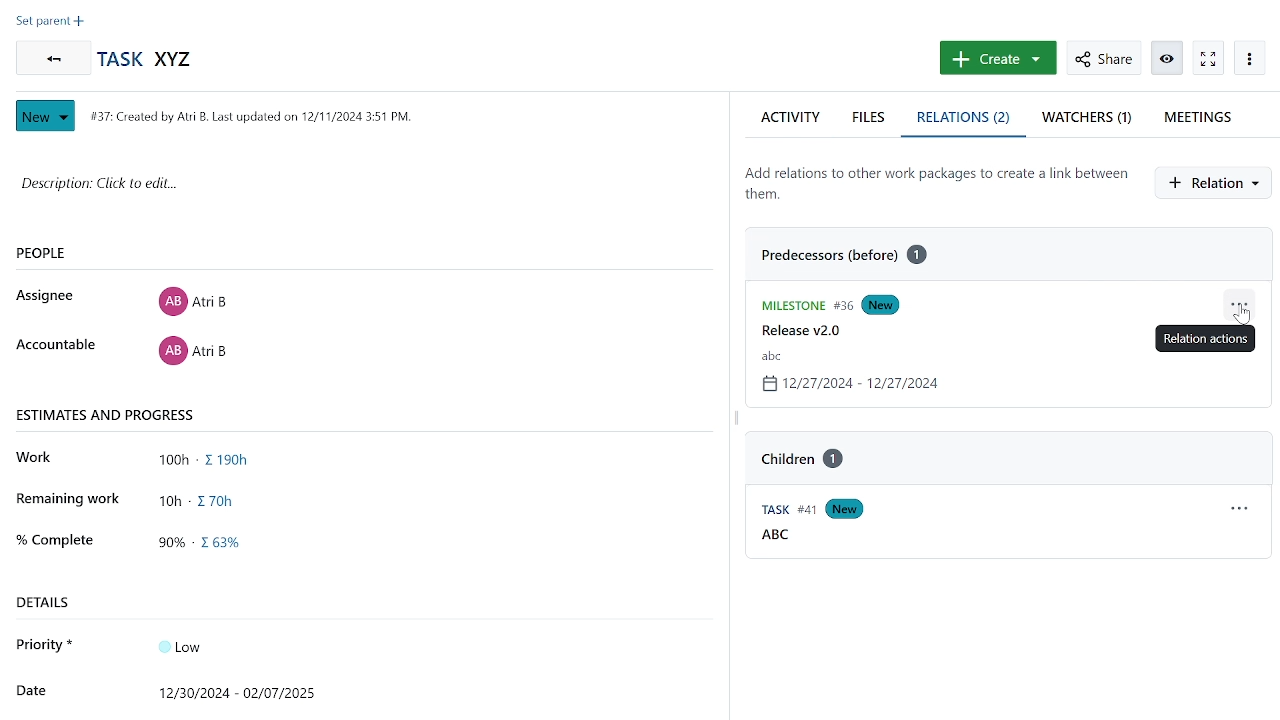 The width and height of the screenshot is (1280, 720). I want to click on relations, so click(965, 120).